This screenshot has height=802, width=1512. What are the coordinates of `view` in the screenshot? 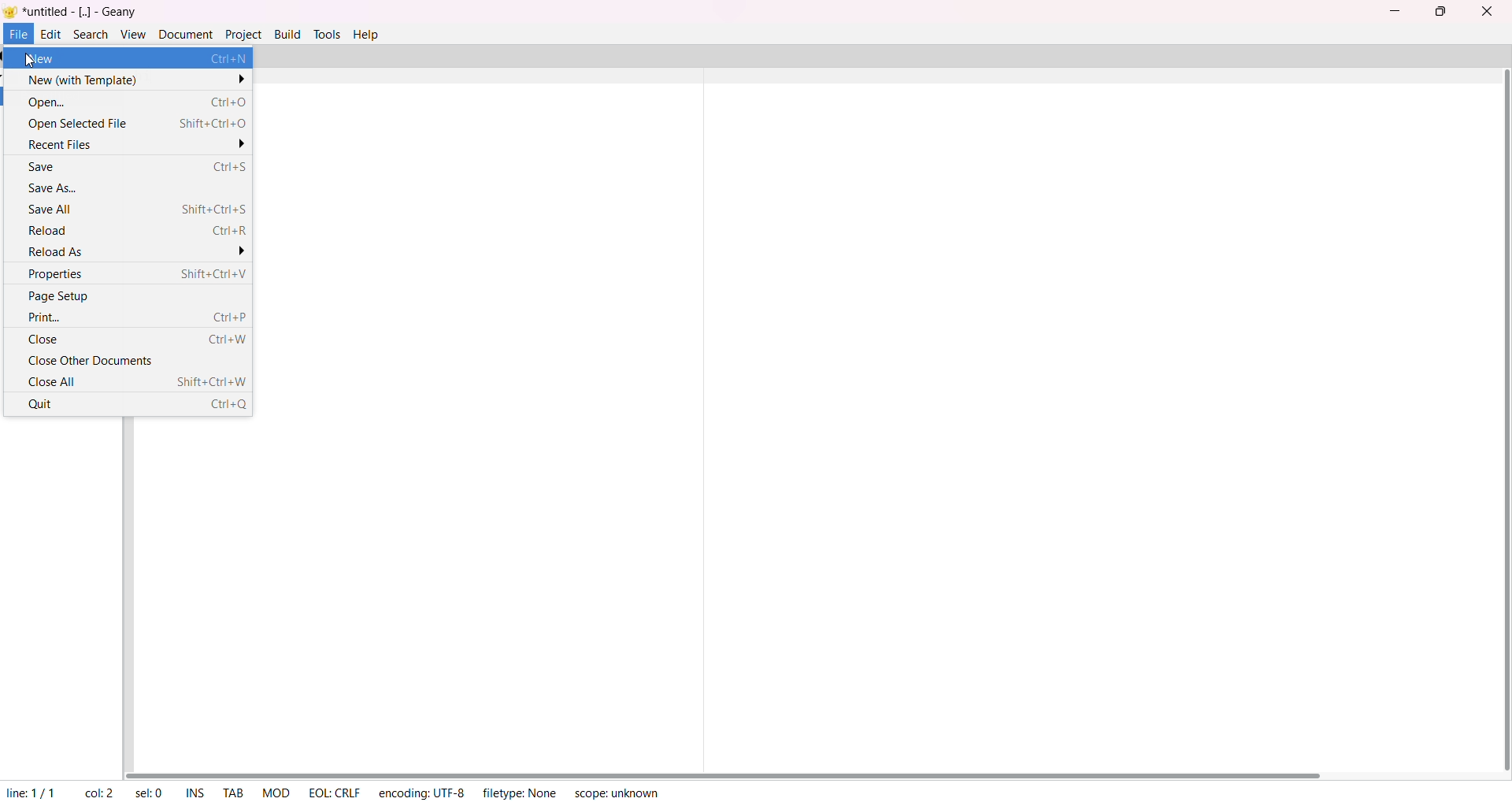 It's located at (132, 33).